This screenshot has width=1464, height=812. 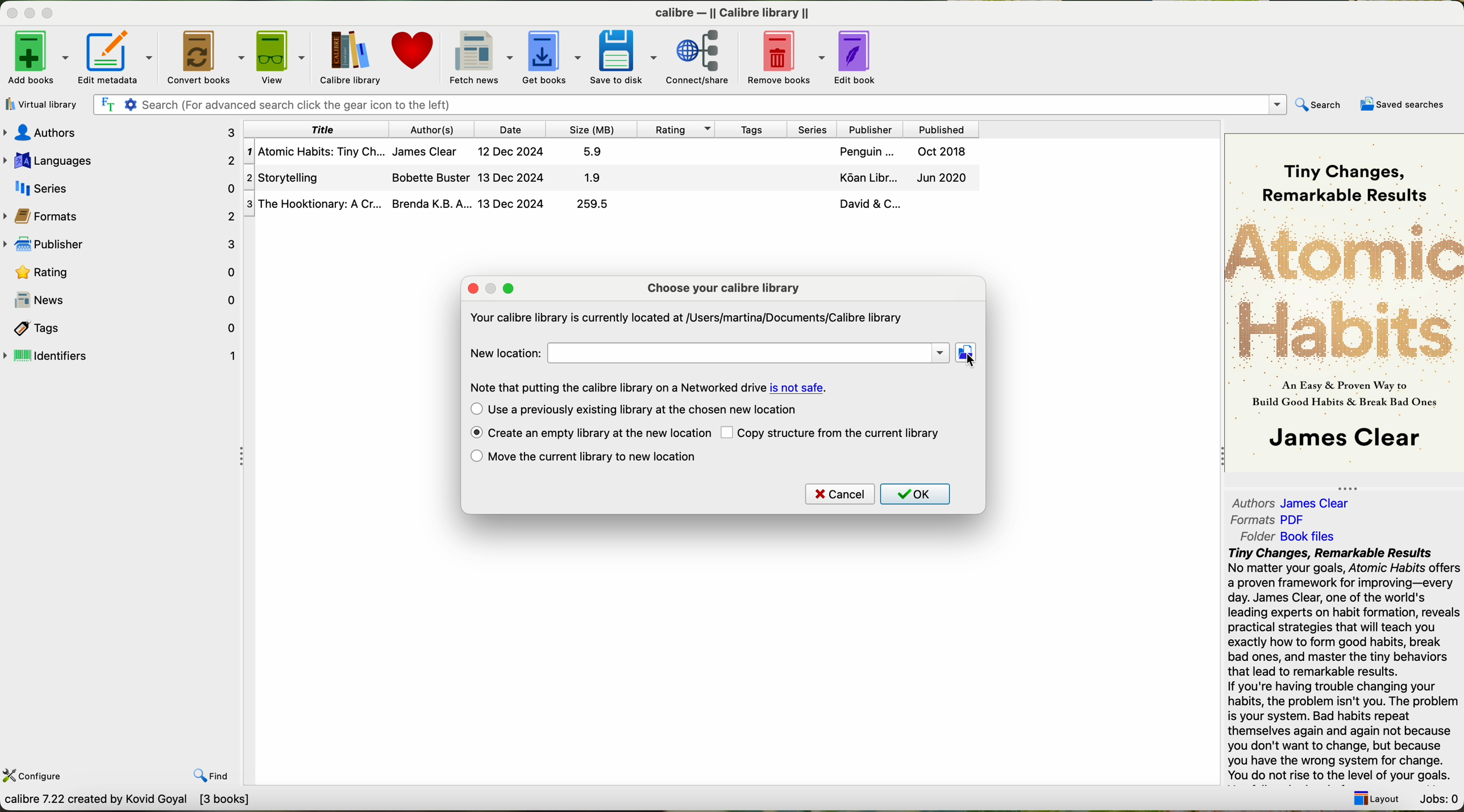 I want to click on authors: James Clear, so click(x=1288, y=500).